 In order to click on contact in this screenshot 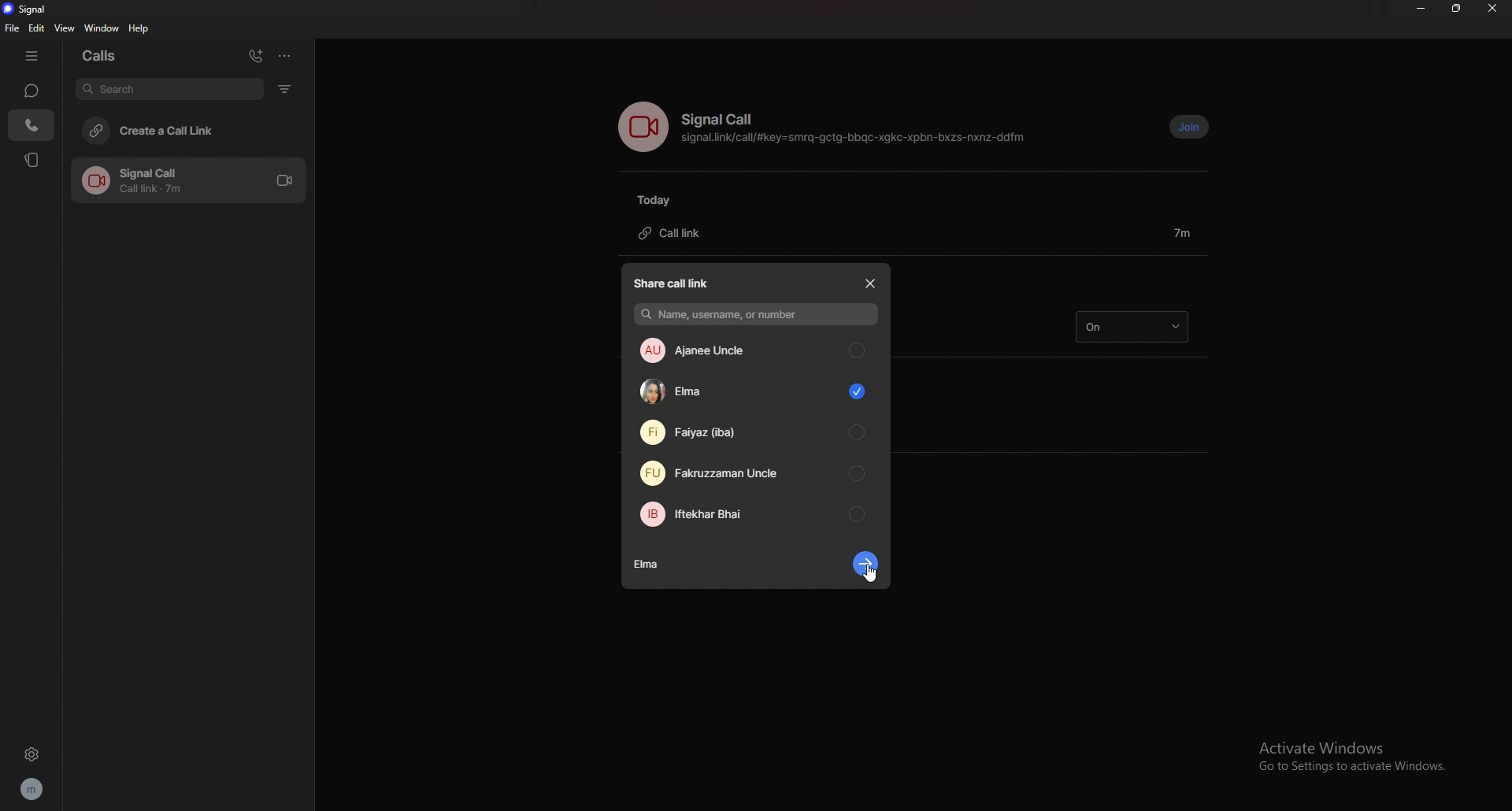, I will do `click(753, 472)`.